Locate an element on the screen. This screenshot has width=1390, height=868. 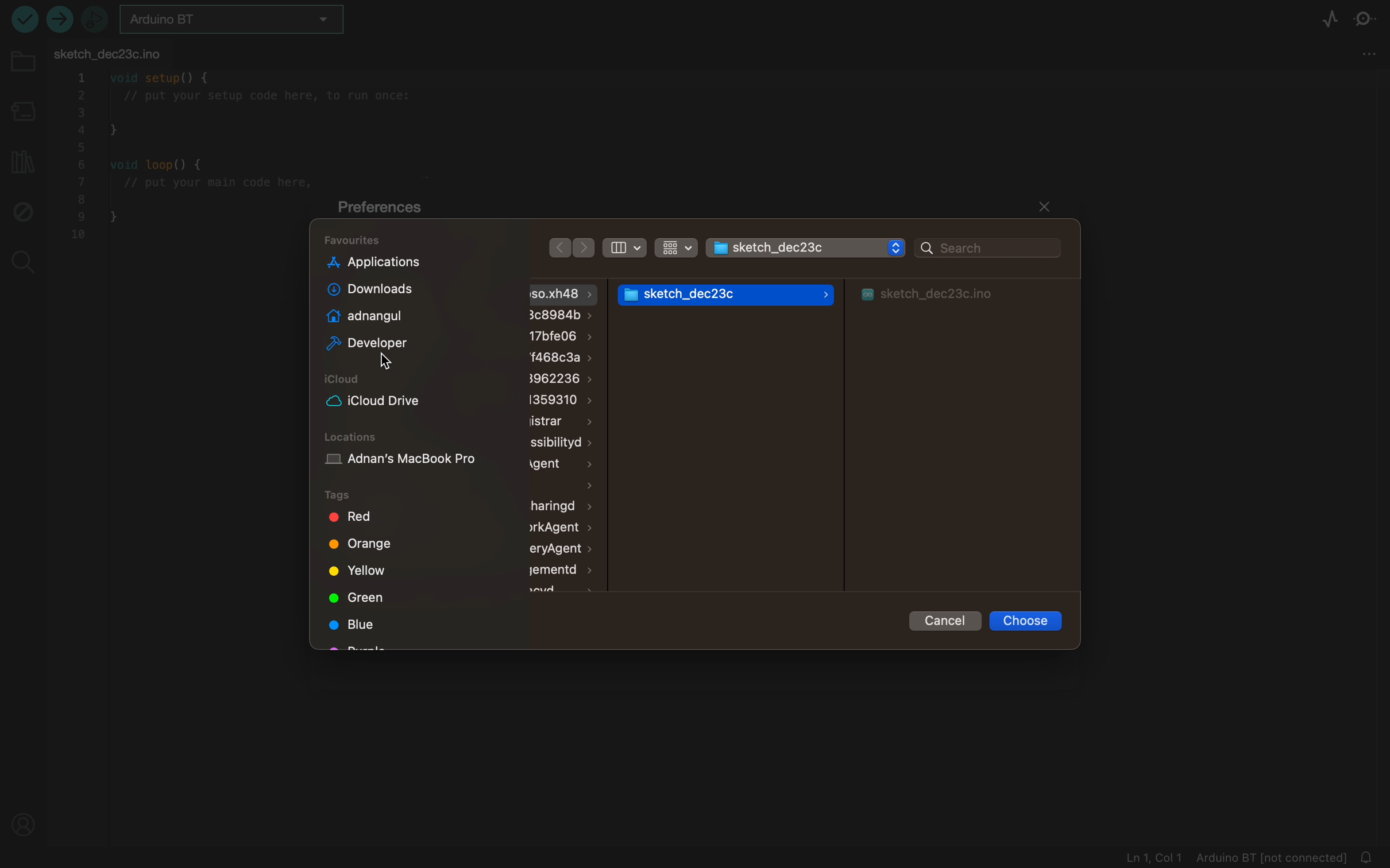
folder selector is located at coordinates (804, 249).